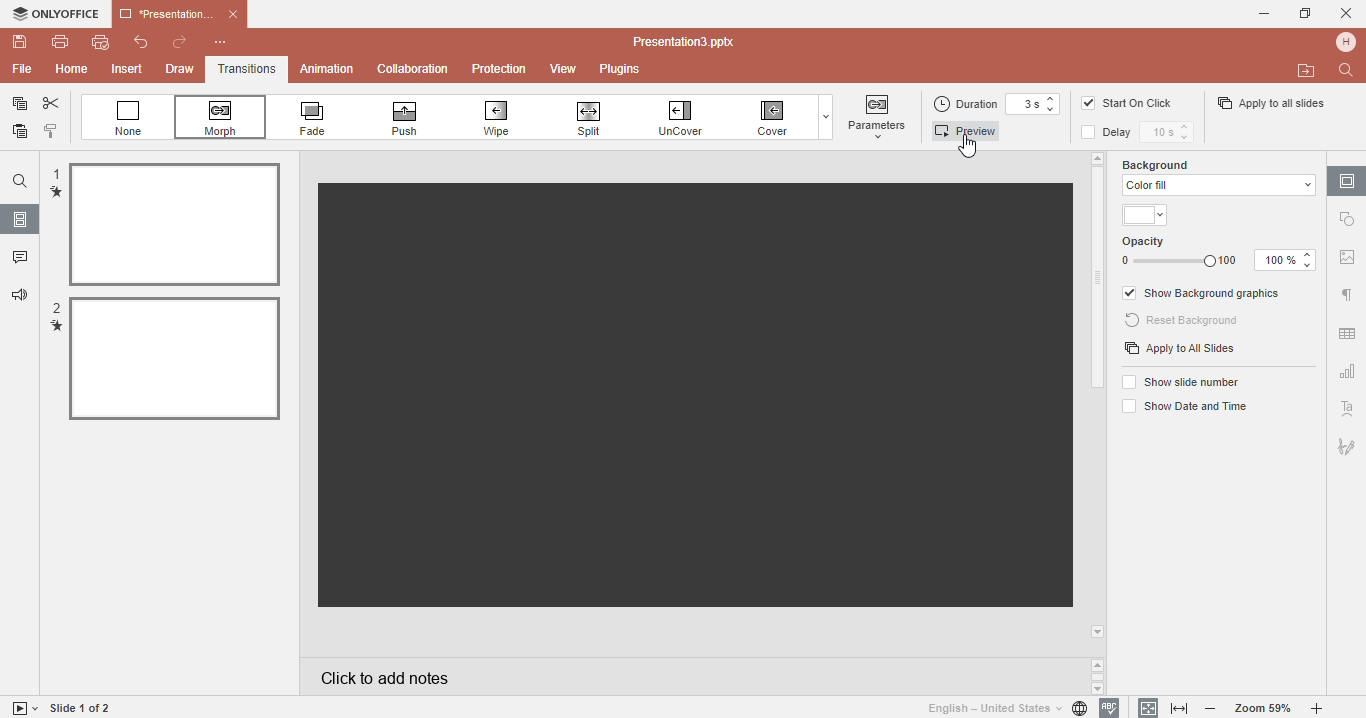 The image size is (1366, 718). I want to click on Maximize, so click(1306, 12).